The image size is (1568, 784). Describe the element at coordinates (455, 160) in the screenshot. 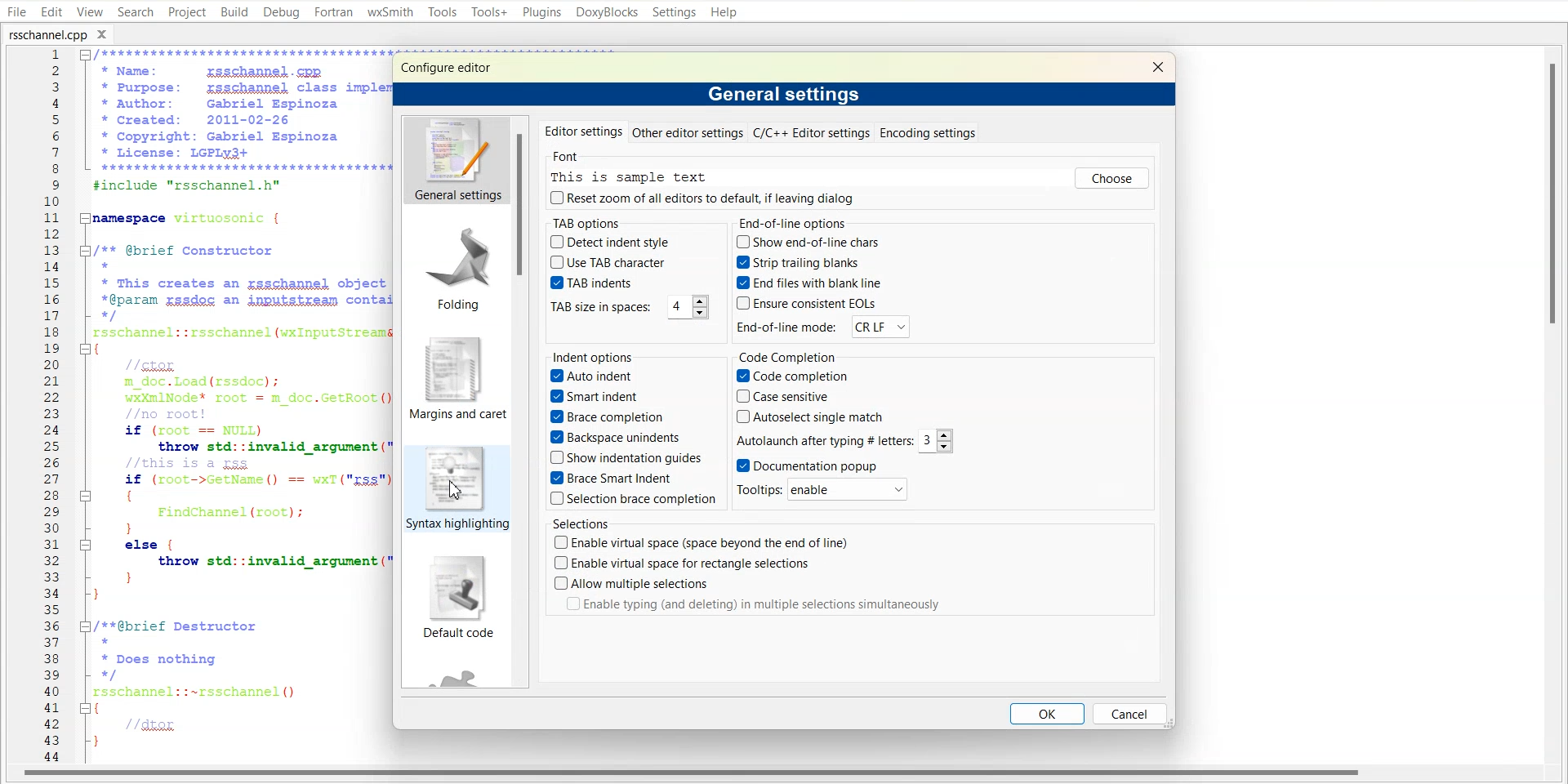

I see `General settings` at that location.